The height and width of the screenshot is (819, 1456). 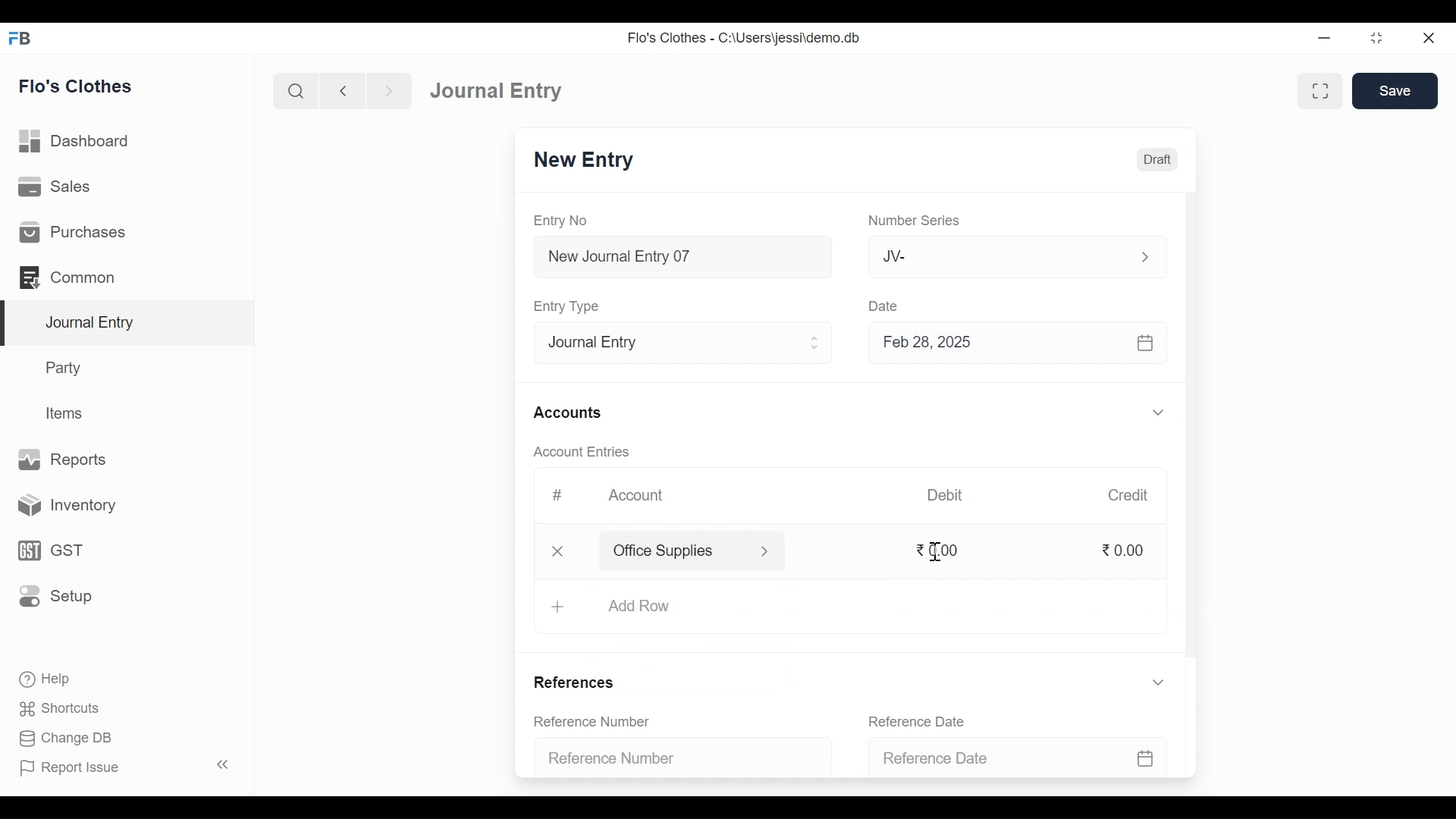 What do you see at coordinates (49, 552) in the screenshot?
I see `GST` at bounding box center [49, 552].